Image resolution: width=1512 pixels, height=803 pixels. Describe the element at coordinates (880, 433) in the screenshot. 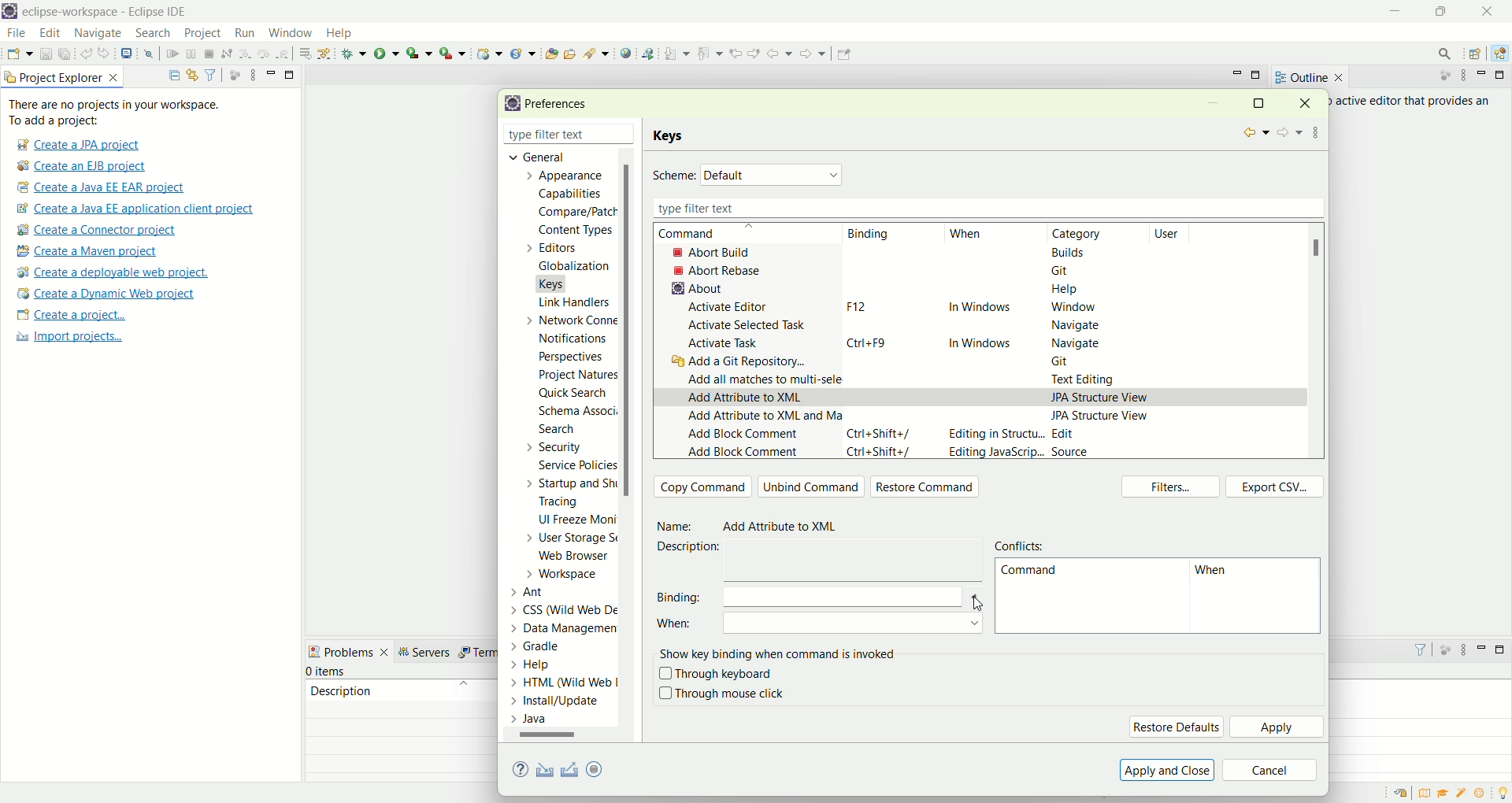

I see `ctrl+shift+/` at that location.